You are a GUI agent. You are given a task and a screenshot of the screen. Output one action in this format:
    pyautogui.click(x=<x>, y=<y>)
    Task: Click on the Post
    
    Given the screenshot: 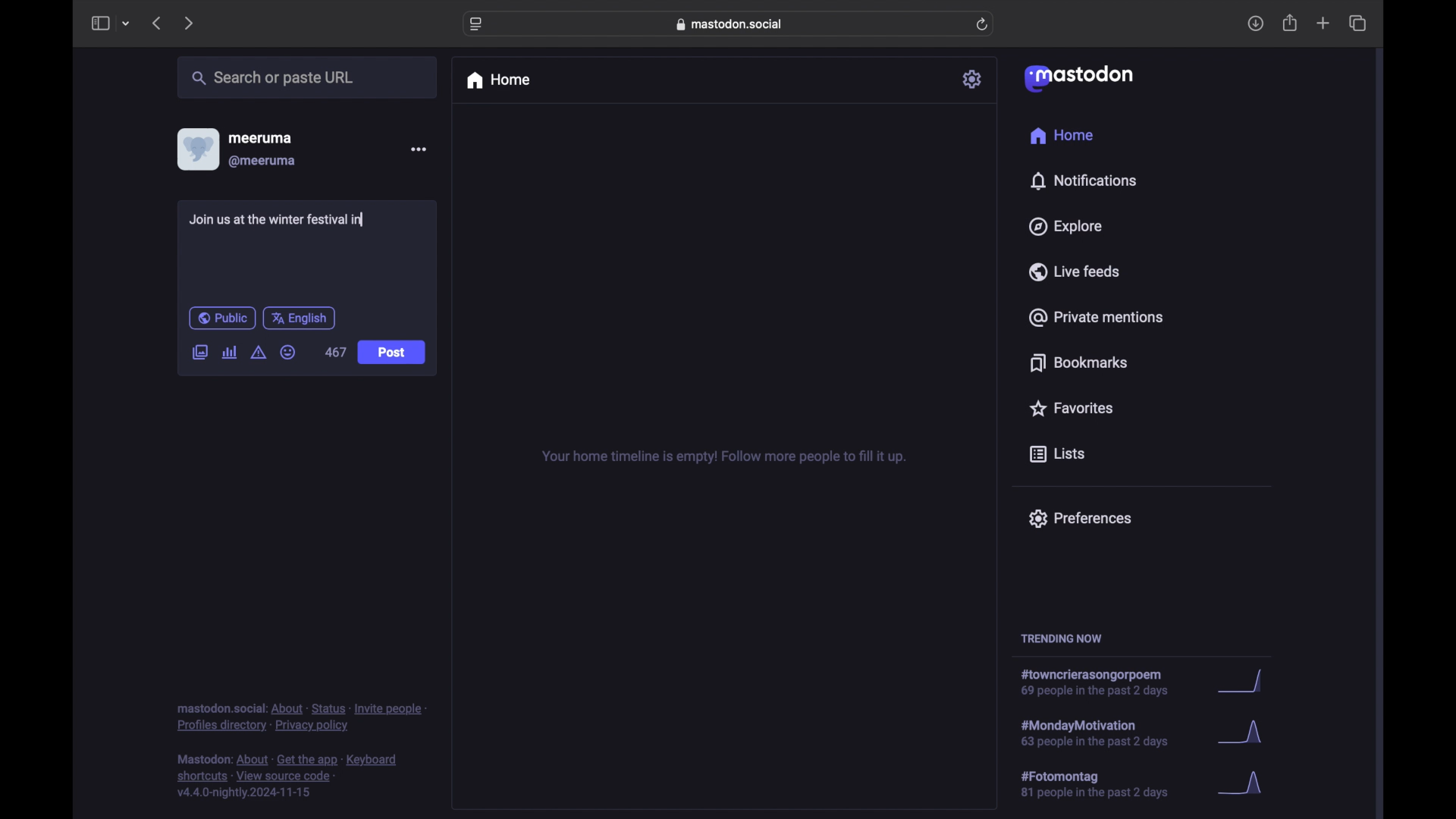 What is the action you would take?
    pyautogui.click(x=393, y=353)
    